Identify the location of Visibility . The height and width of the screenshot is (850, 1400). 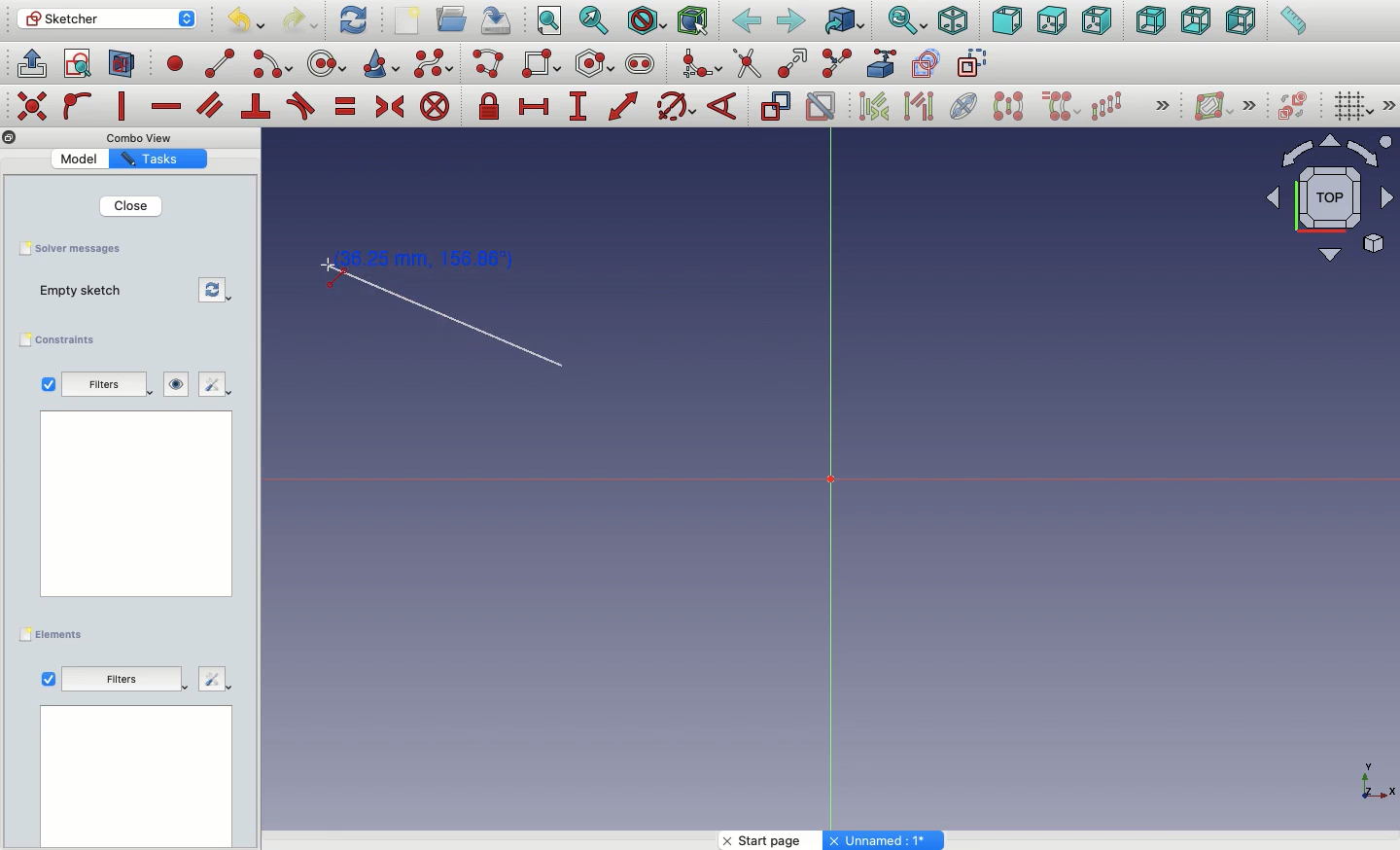
(177, 382).